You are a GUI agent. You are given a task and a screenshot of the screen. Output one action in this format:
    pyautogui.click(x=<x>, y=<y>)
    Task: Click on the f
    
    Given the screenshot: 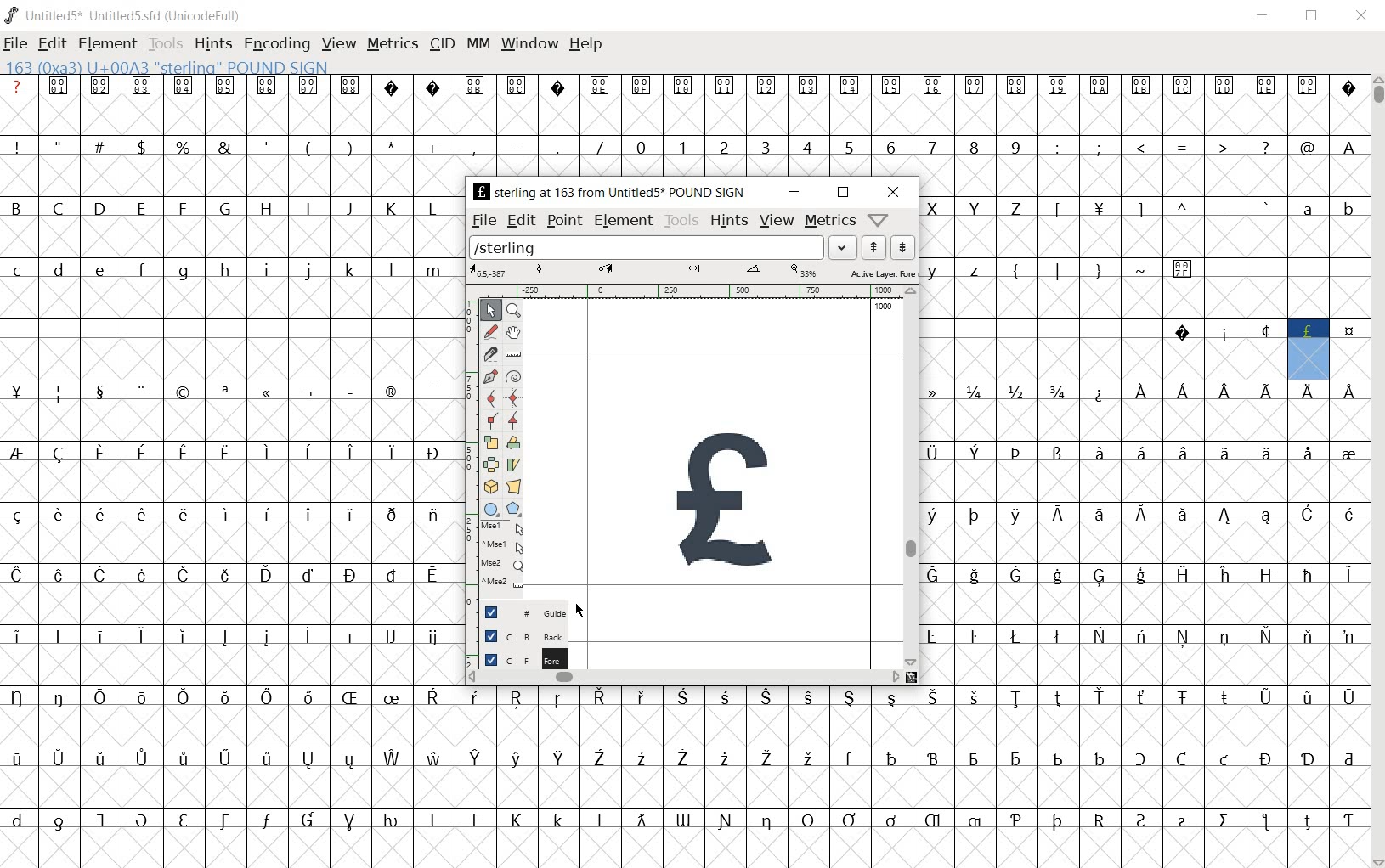 What is the action you would take?
    pyautogui.click(x=141, y=273)
    